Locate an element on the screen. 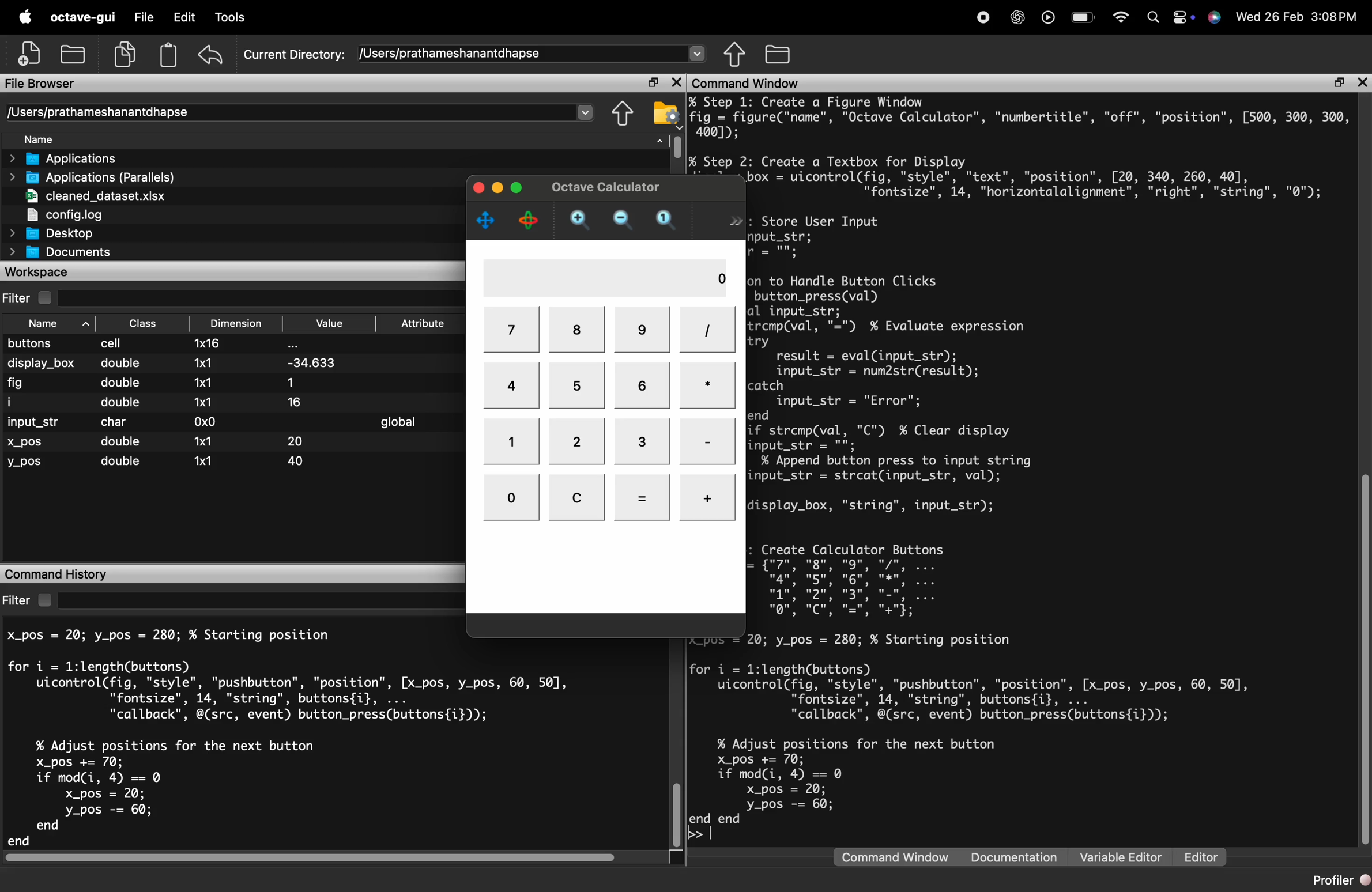 This screenshot has height=892, width=1372. Browse directories is located at coordinates (665, 114).